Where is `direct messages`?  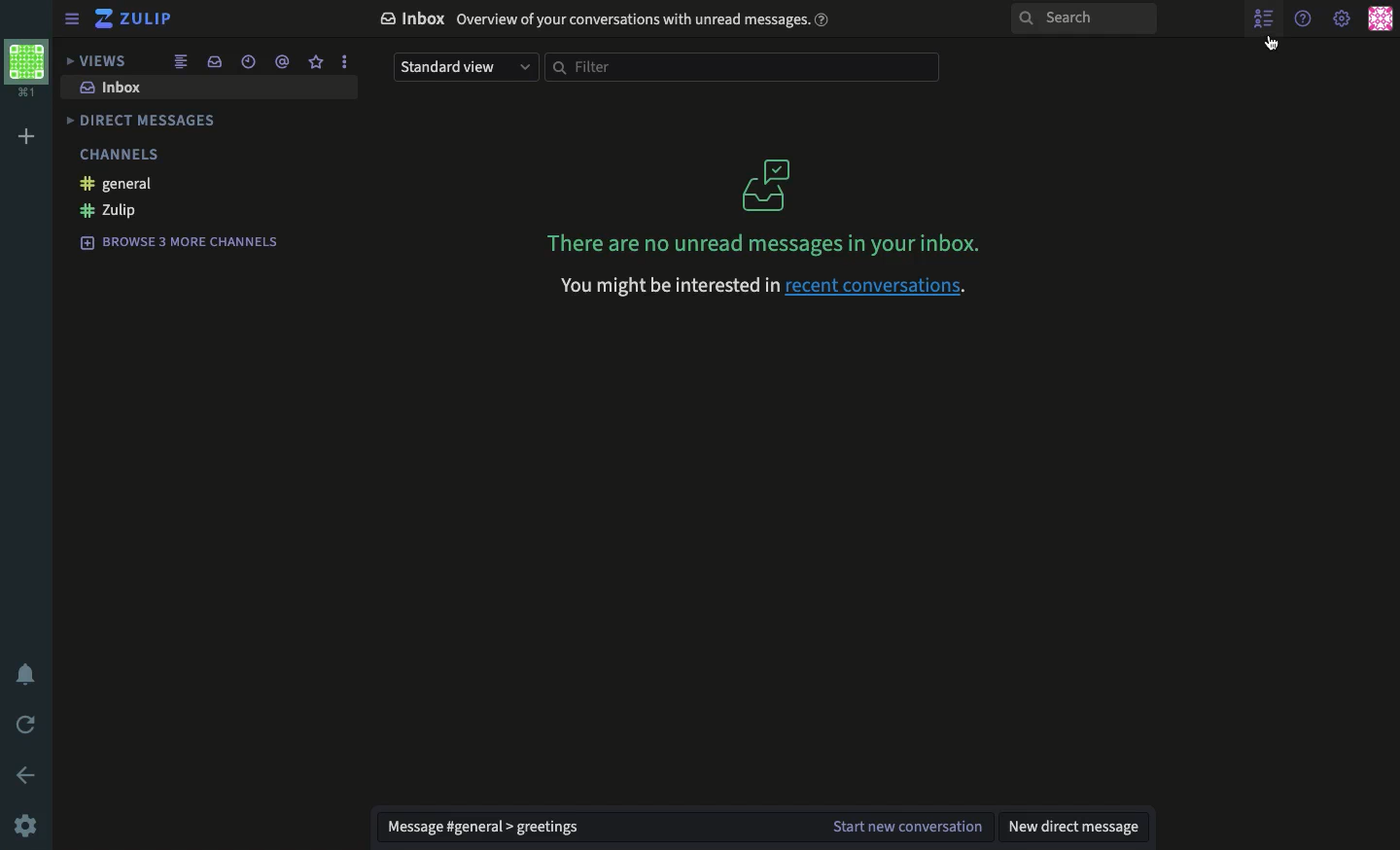
direct messages is located at coordinates (140, 119).